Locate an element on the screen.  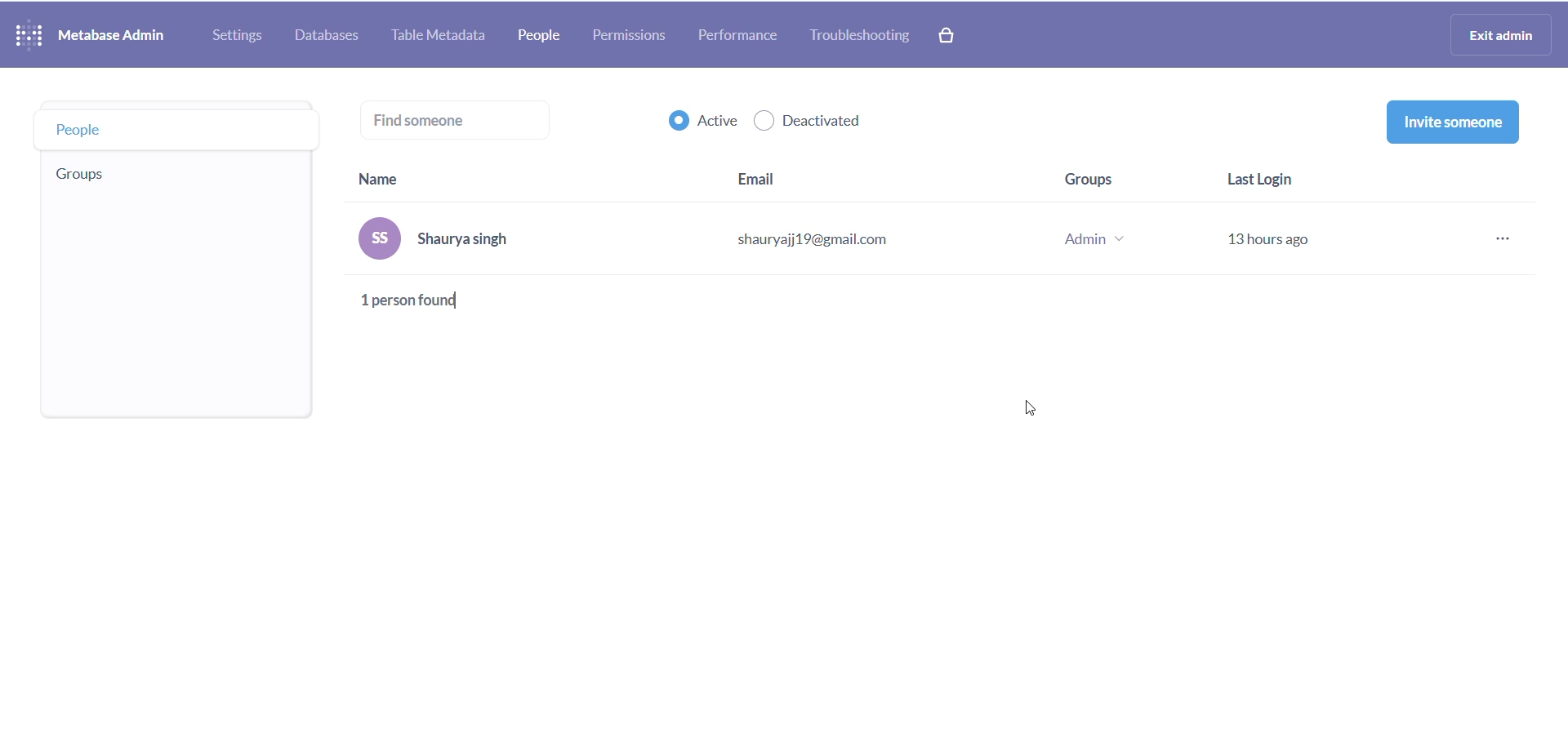
people is located at coordinates (543, 32).